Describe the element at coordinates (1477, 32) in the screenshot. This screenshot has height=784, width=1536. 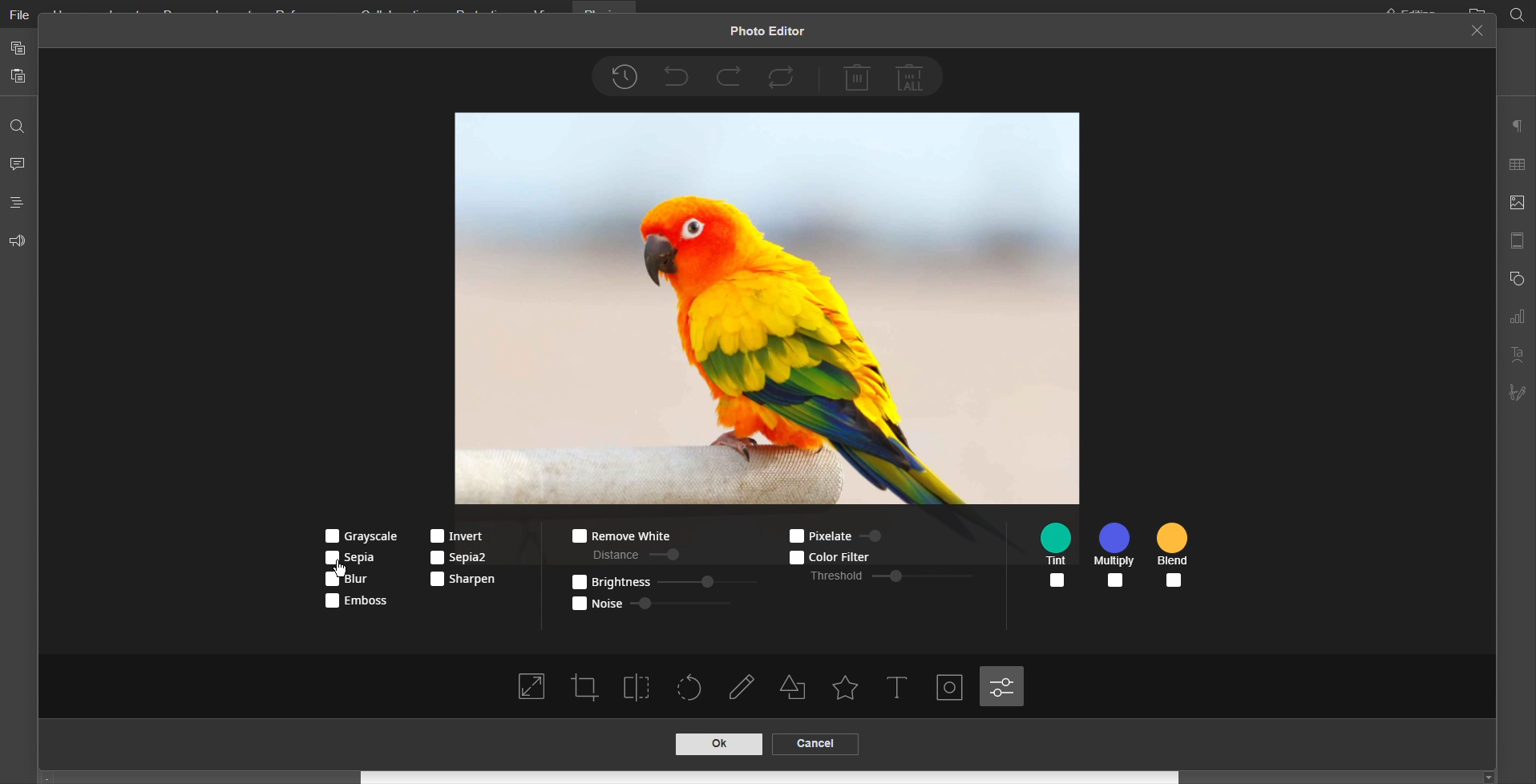
I see `Cancel` at that location.